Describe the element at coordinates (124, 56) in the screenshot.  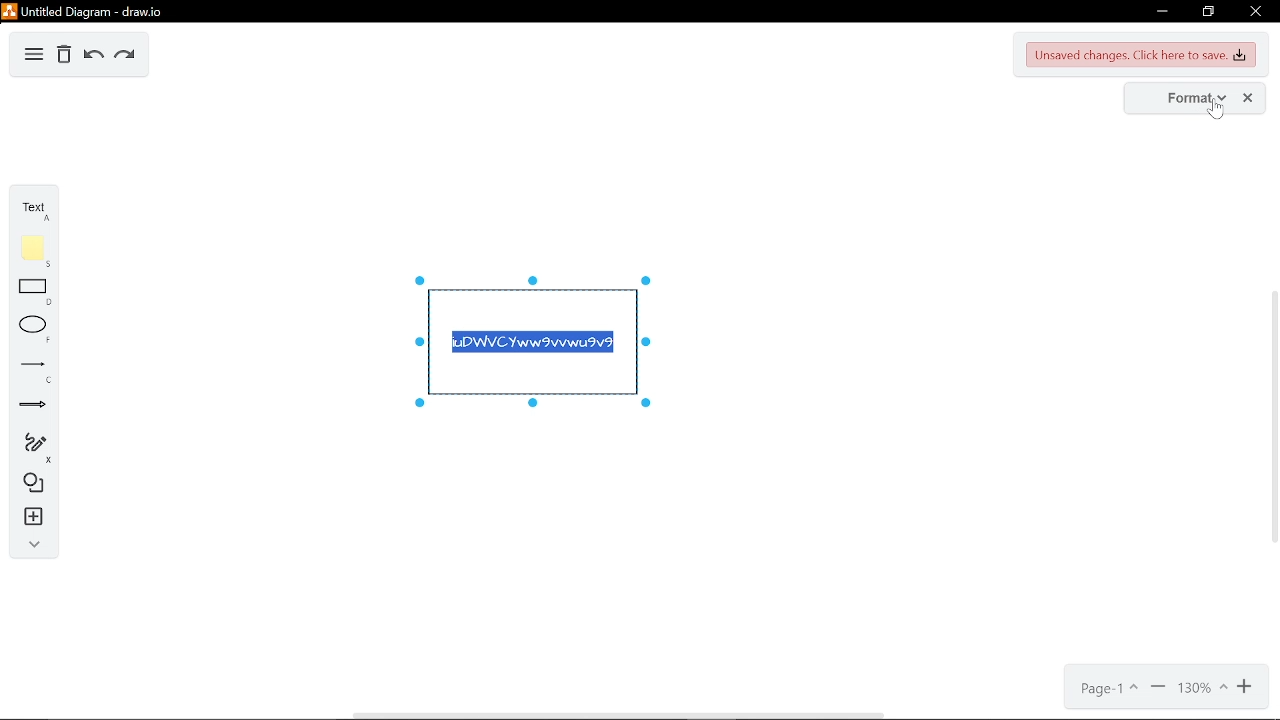
I see `redo` at that location.